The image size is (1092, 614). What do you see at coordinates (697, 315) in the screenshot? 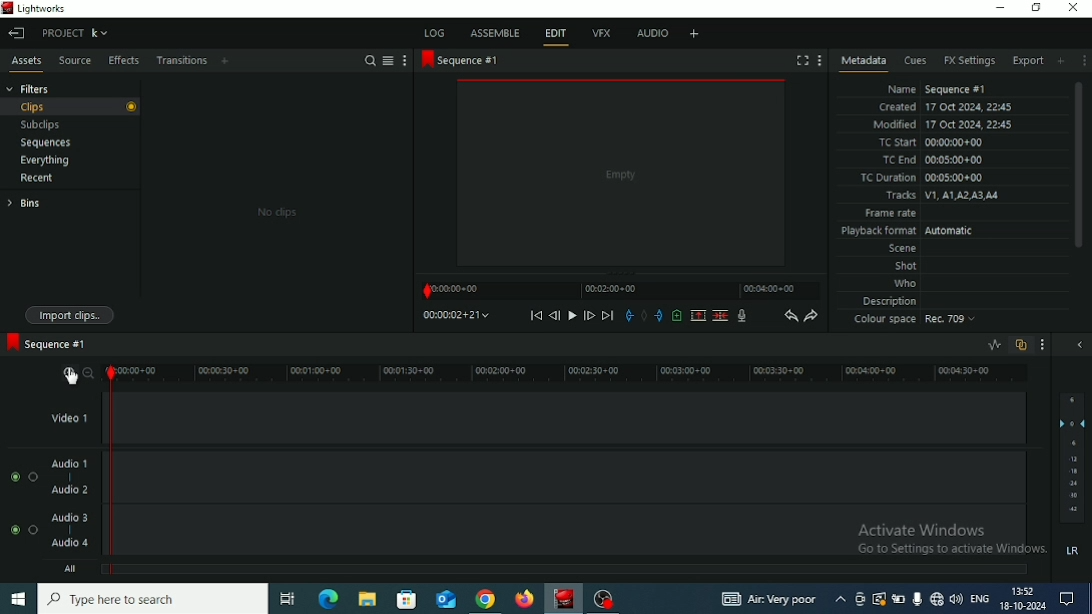
I see `Remove the marked section` at bounding box center [697, 315].